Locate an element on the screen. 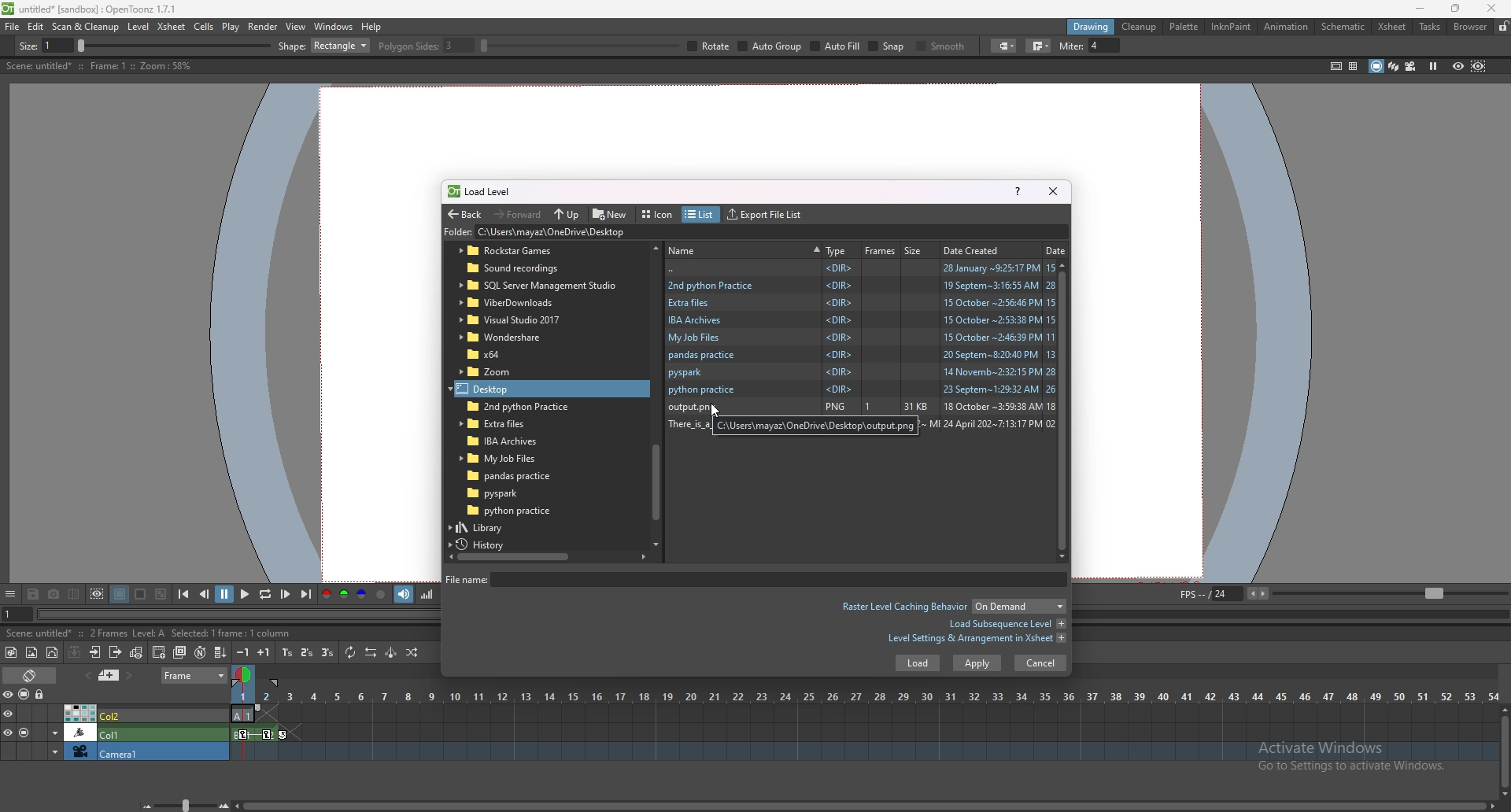 This screenshot has height=812, width=1511. resize is located at coordinates (1455, 9).